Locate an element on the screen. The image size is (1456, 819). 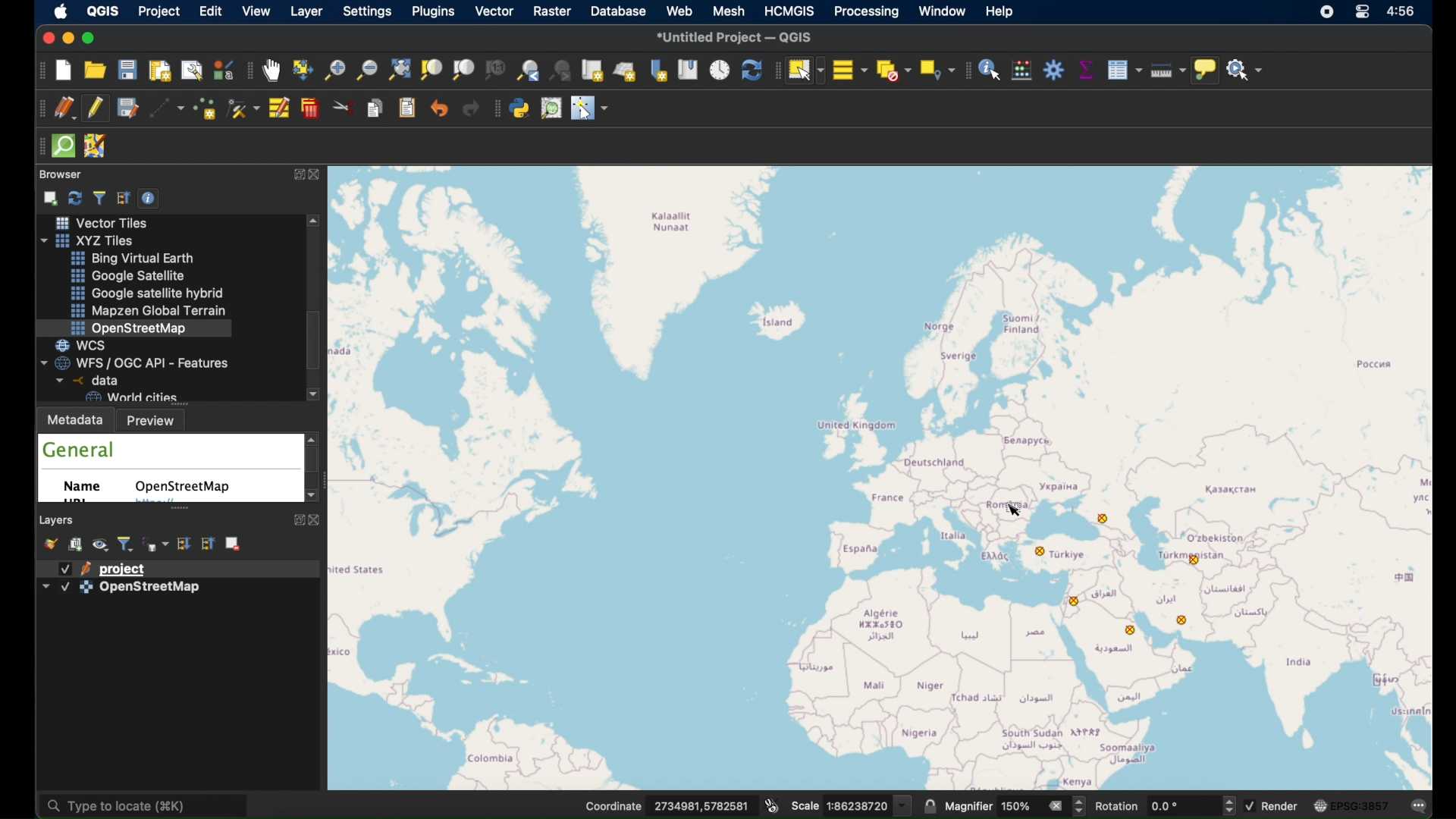
identify feature is located at coordinates (990, 70).